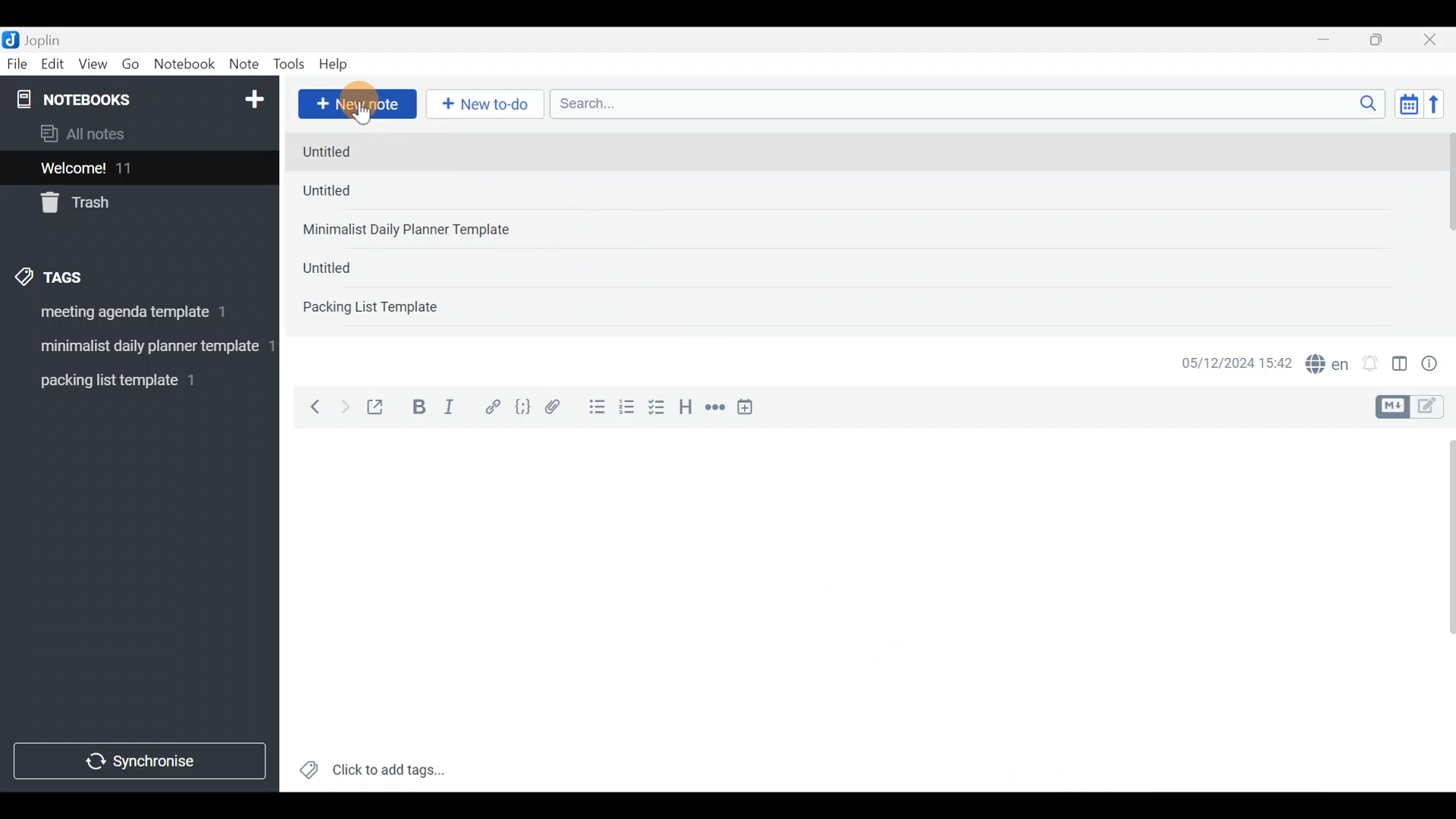 This screenshot has height=819, width=1456. What do you see at coordinates (52, 38) in the screenshot?
I see `Joplin` at bounding box center [52, 38].